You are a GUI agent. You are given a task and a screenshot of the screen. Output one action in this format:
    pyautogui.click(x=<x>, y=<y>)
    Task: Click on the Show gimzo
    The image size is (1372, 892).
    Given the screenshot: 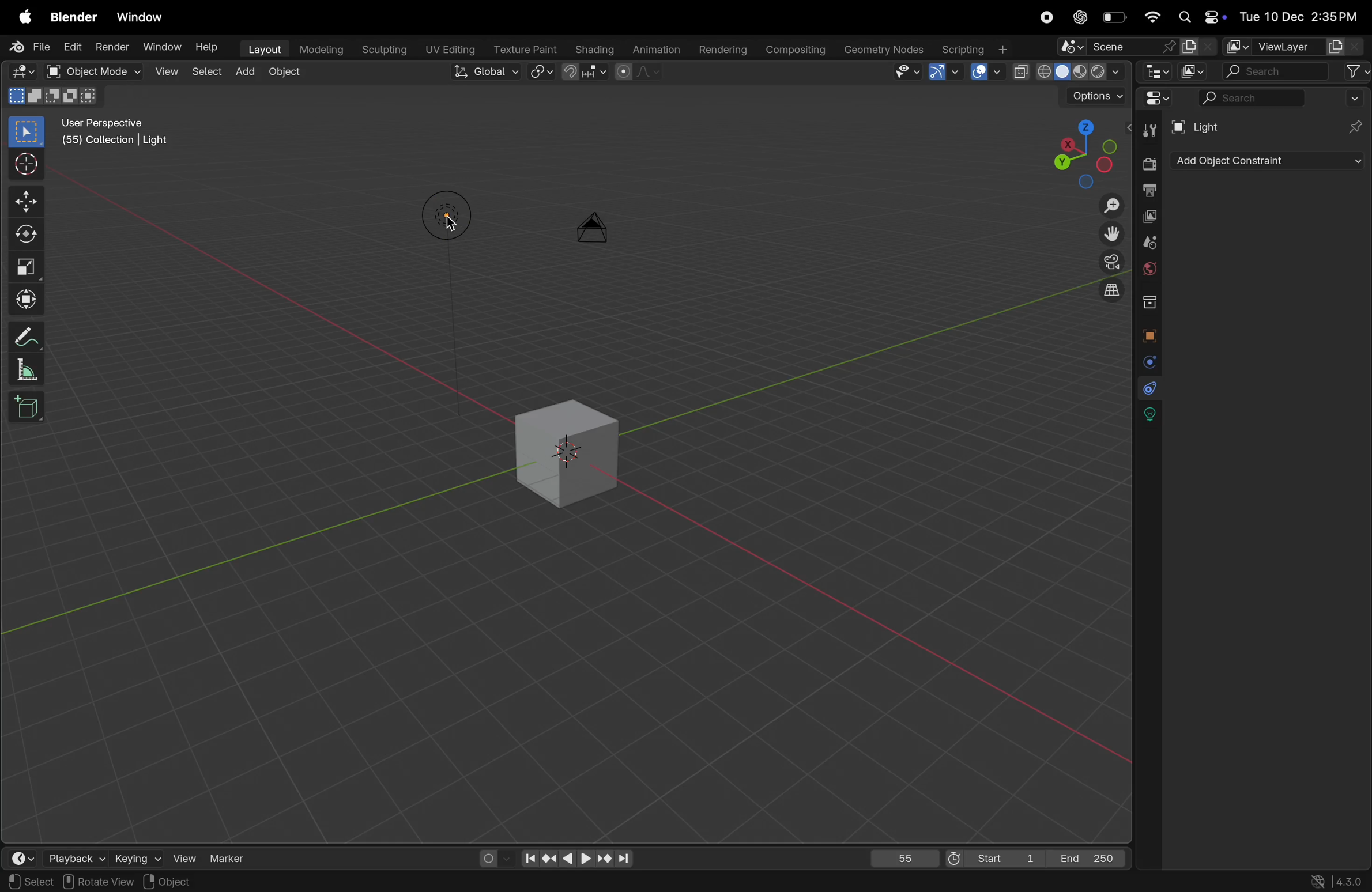 What is the action you would take?
    pyautogui.click(x=941, y=71)
    